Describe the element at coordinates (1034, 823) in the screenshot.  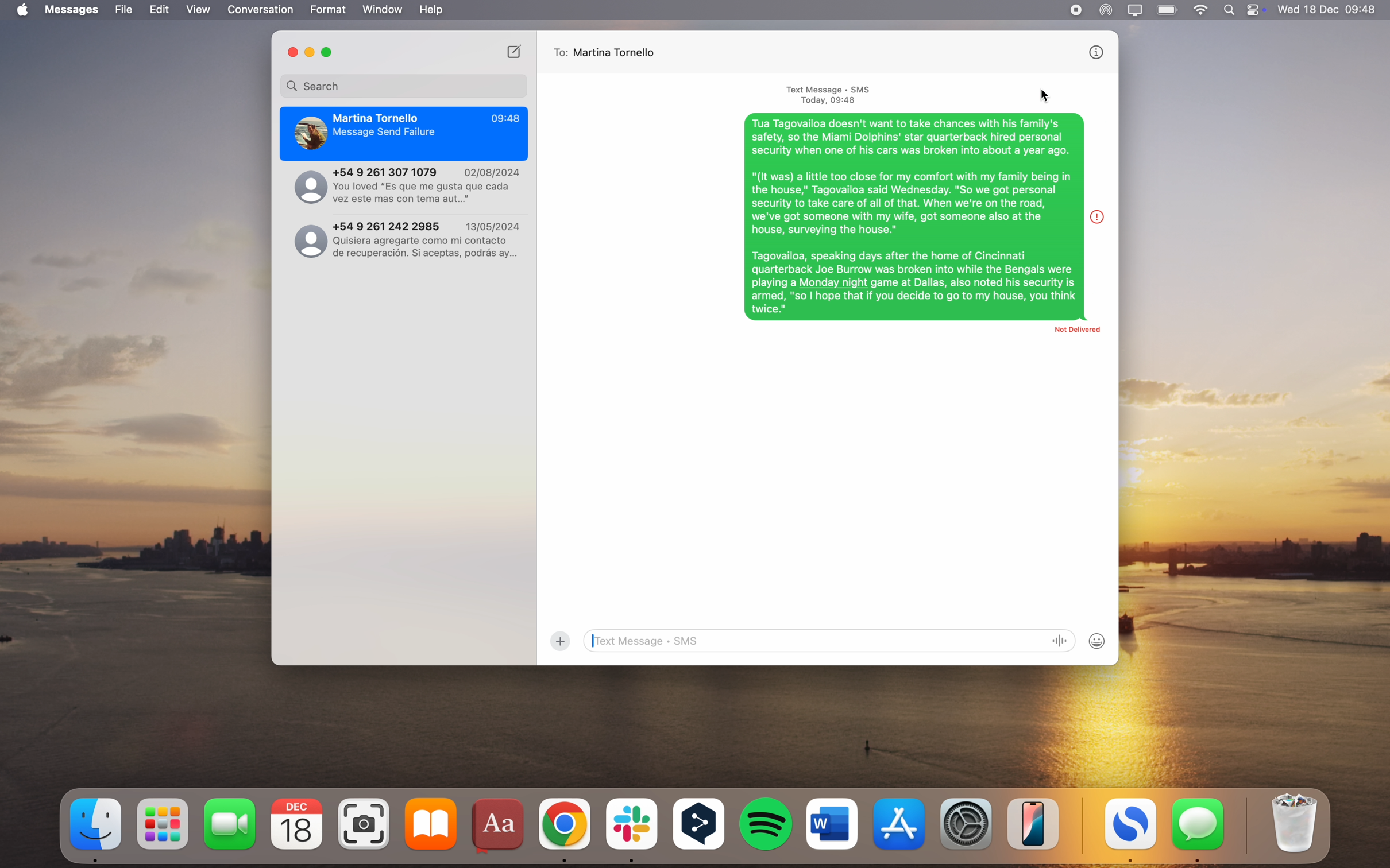
I see `iphone mirroring` at that location.